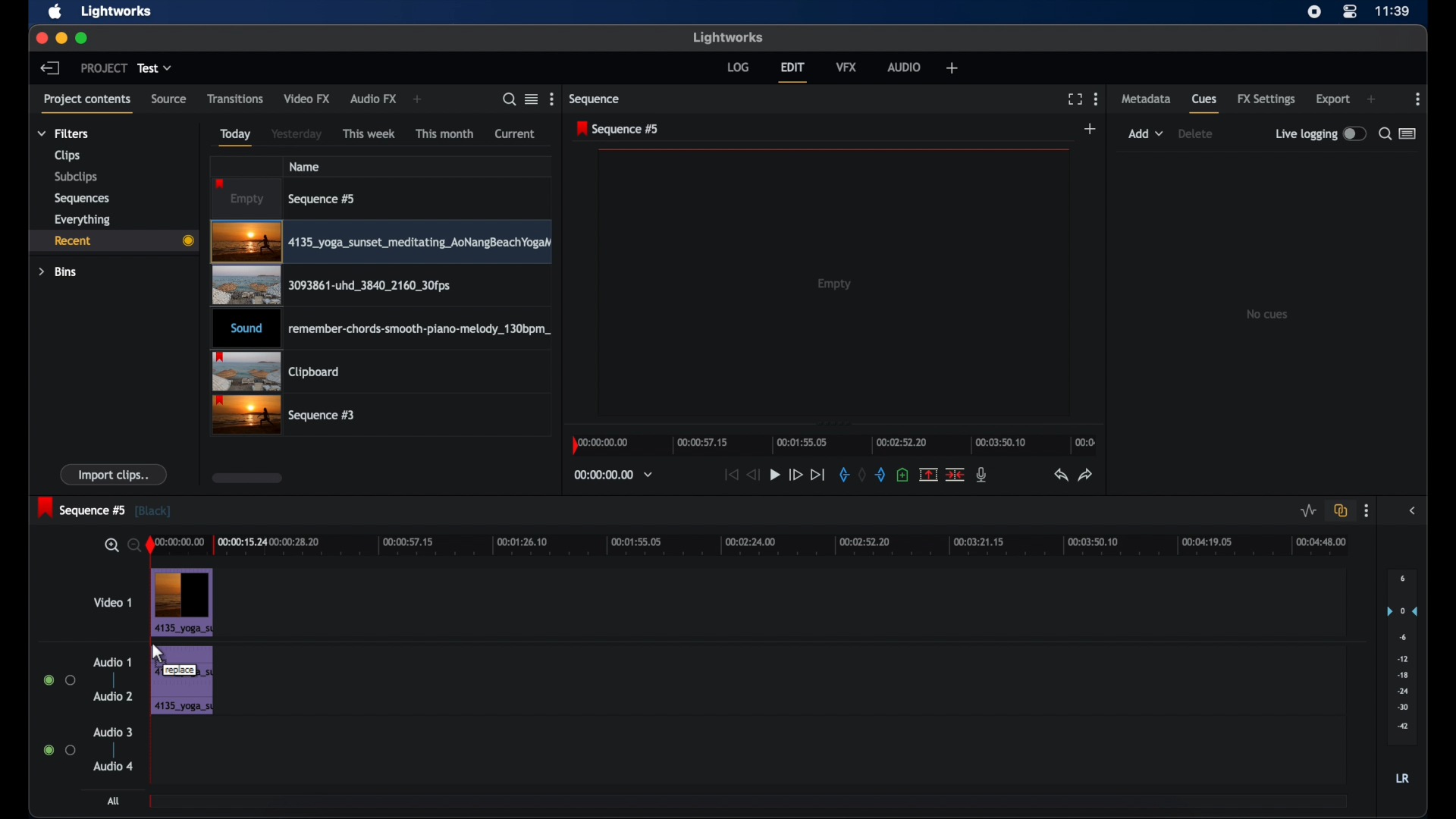 The image size is (1456, 819). I want to click on bins, so click(59, 273).